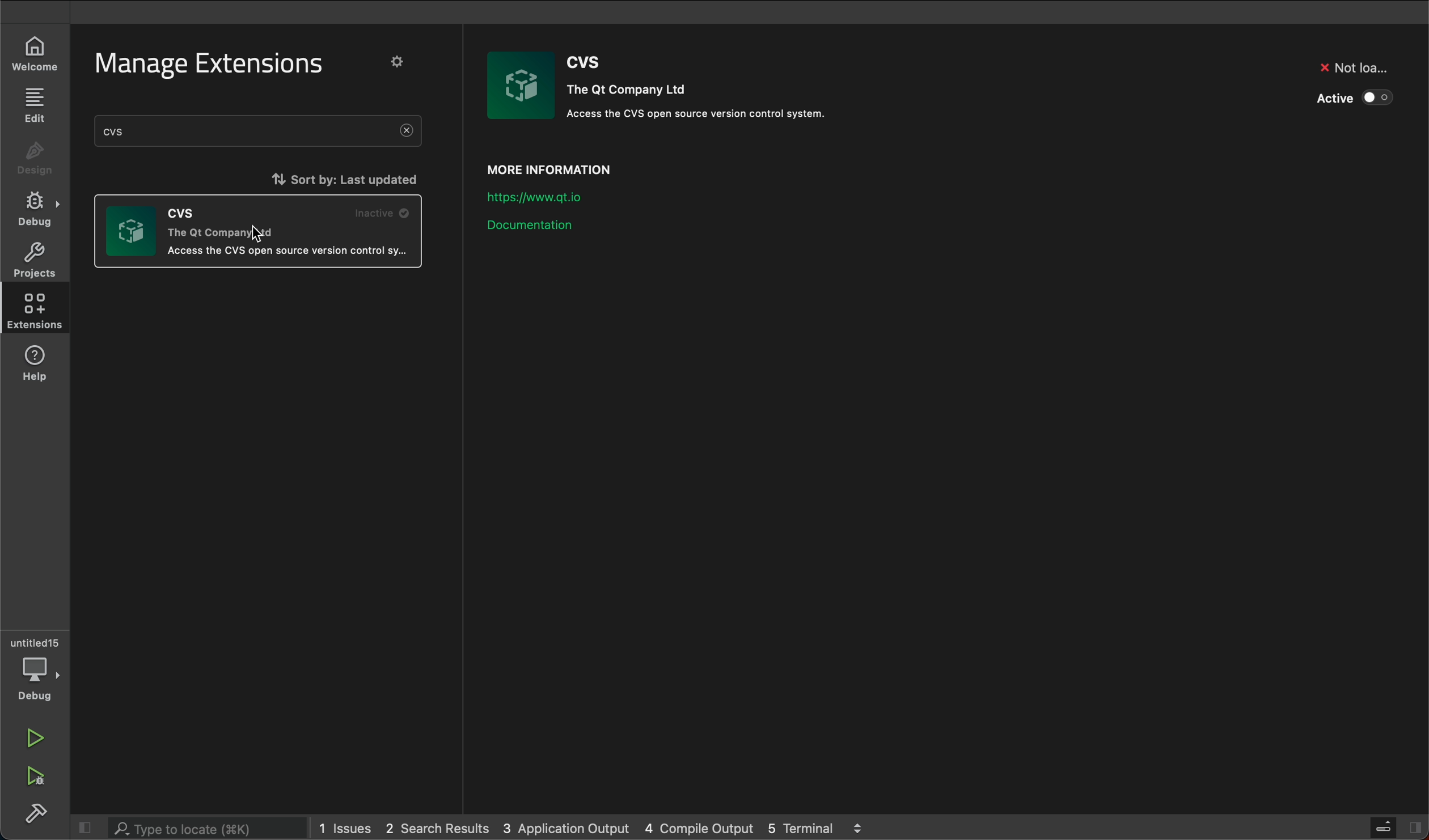  What do you see at coordinates (30, 57) in the screenshot?
I see `welcome` at bounding box center [30, 57].